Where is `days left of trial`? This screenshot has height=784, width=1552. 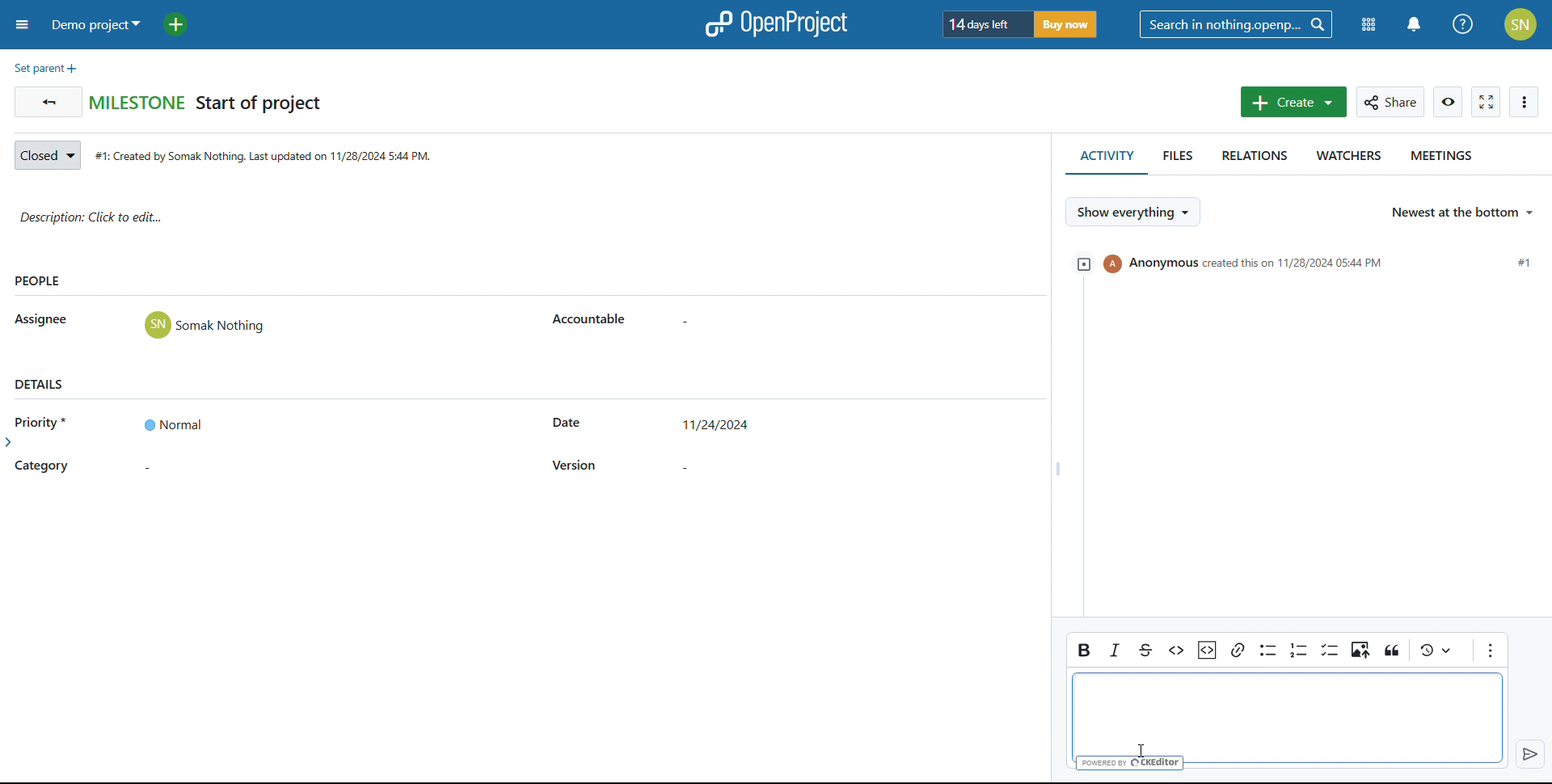 days left of trial is located at coordinates (982, 23).